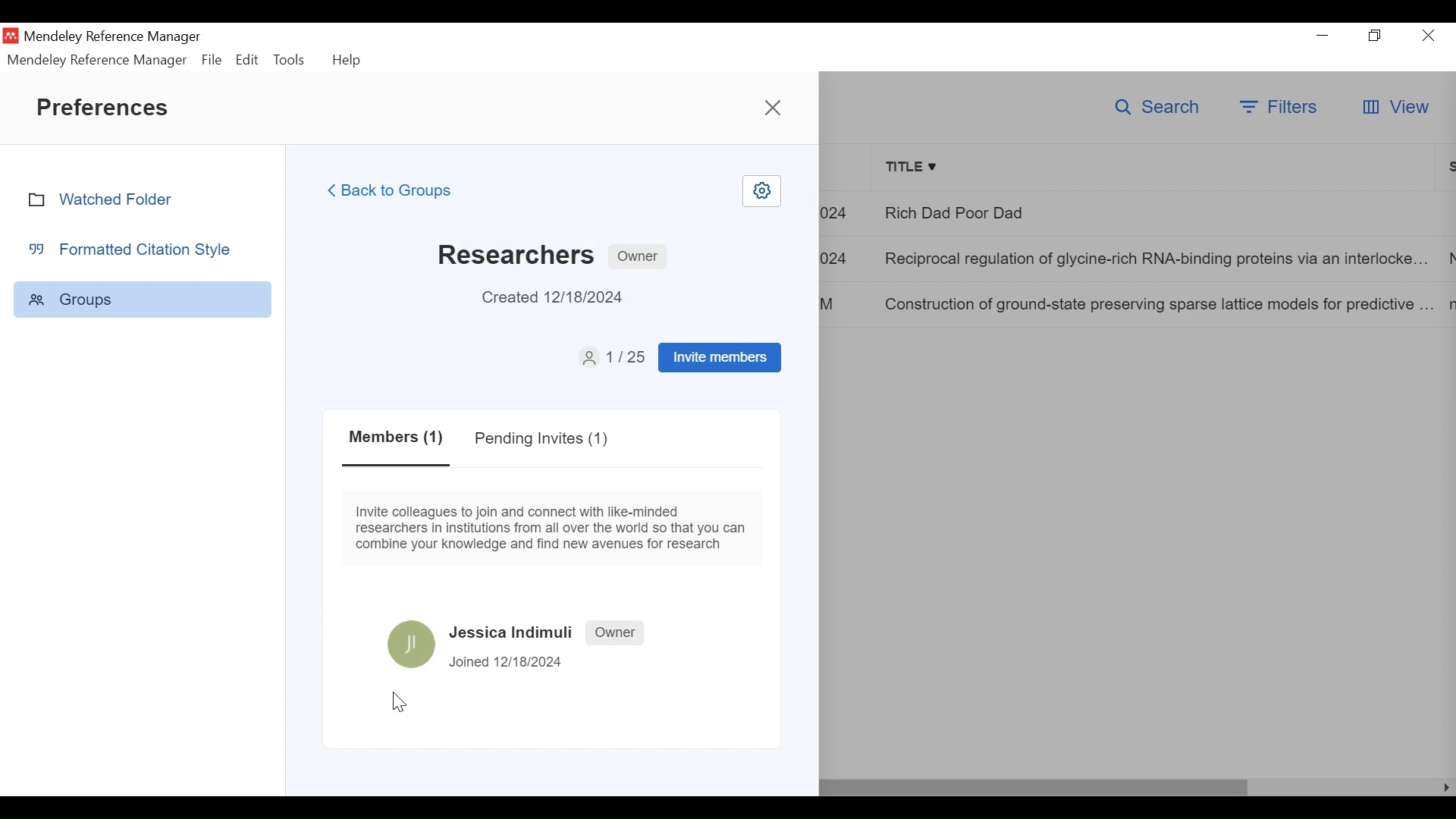 The width and height of the screenshot is (1456, 819). What do you see at coordinates (638, 257) in the screenshot?
I see `Owner` at bounding box center [638, 257].